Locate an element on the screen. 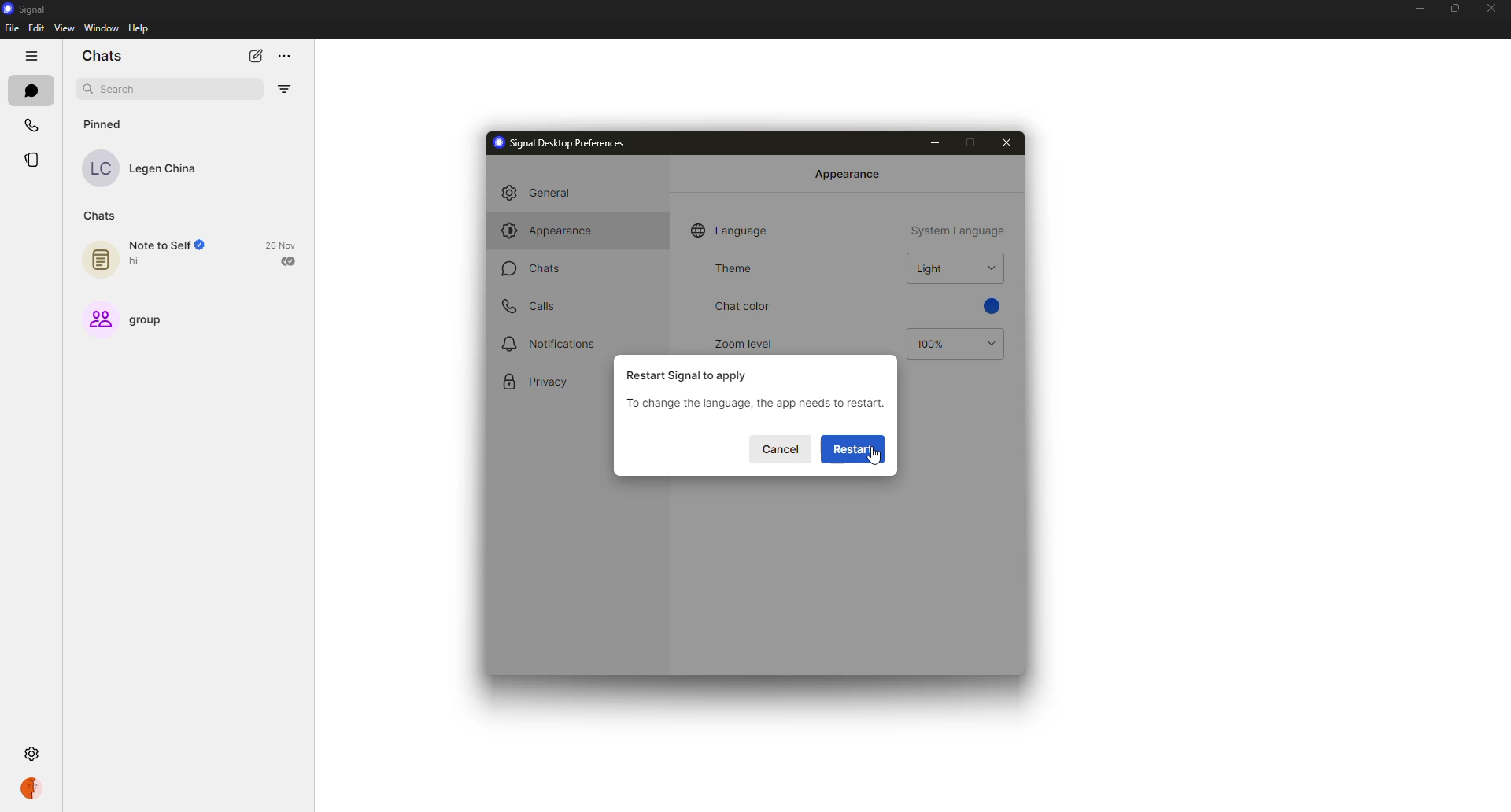 This screenshot has height=812, width=1511. drop is located at coordinates (989, 268).